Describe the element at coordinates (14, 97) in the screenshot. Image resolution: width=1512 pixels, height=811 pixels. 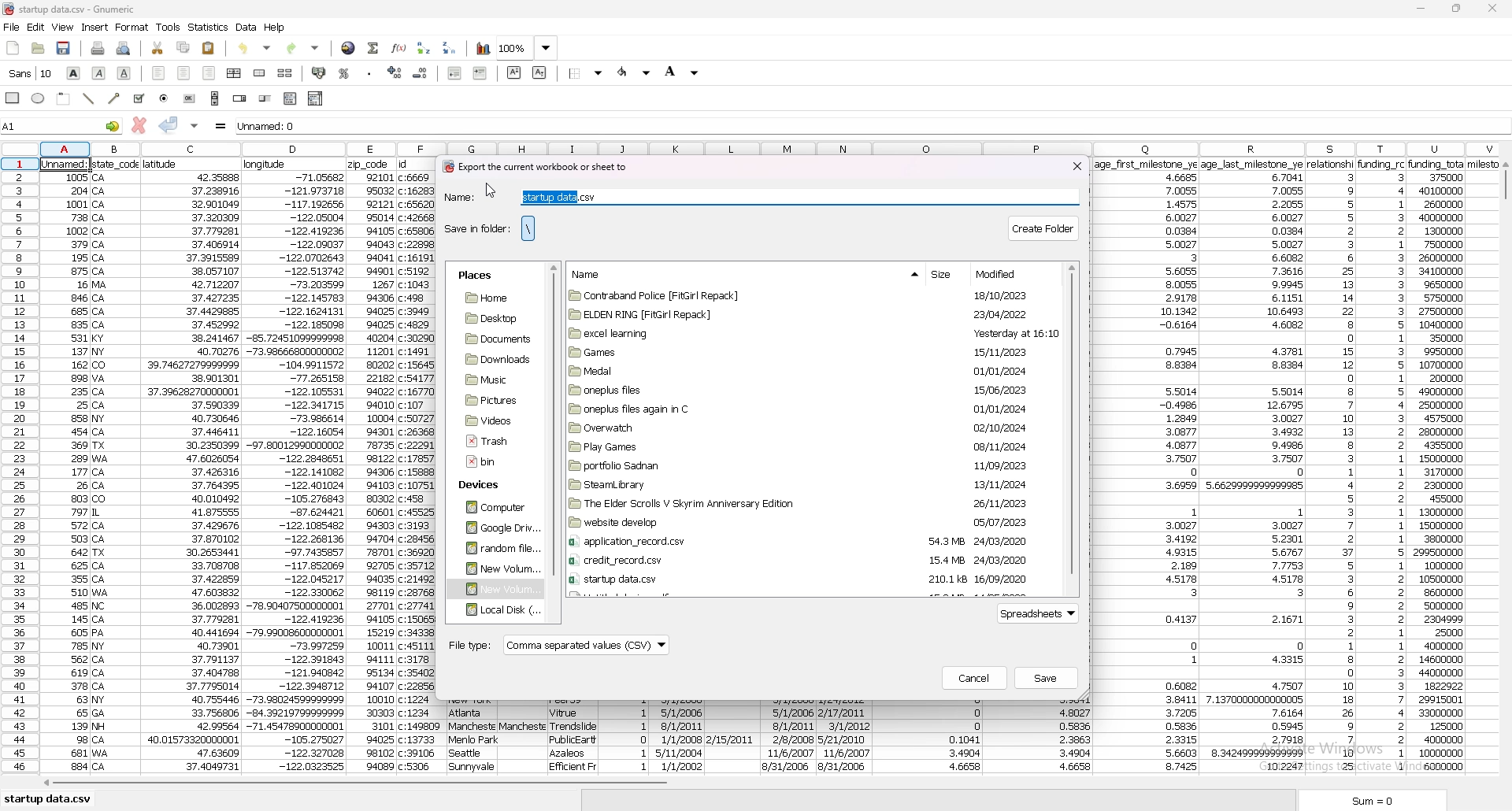
I see `rectangle` at that location.